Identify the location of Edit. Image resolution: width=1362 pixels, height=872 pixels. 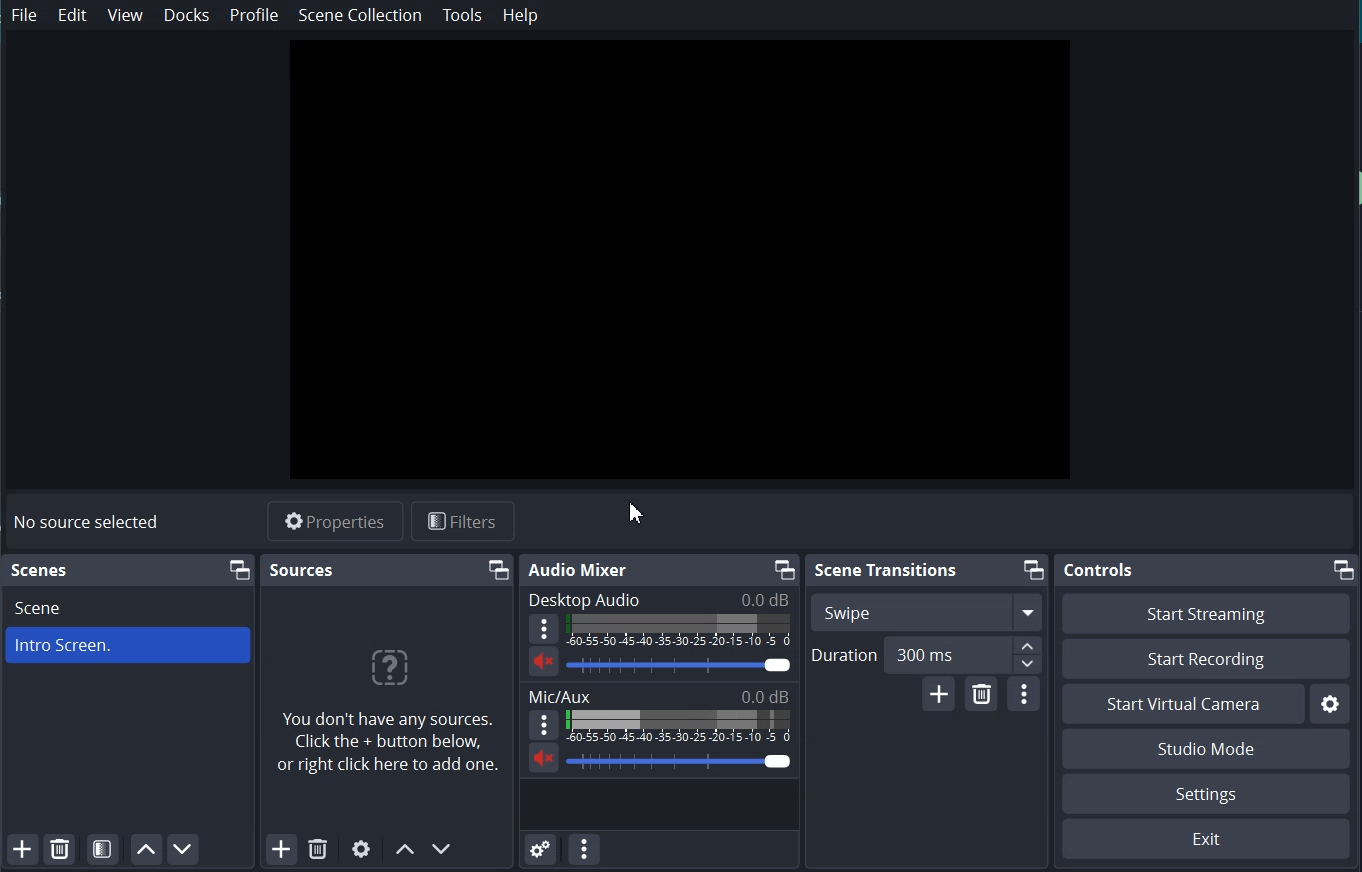
(74, 15).